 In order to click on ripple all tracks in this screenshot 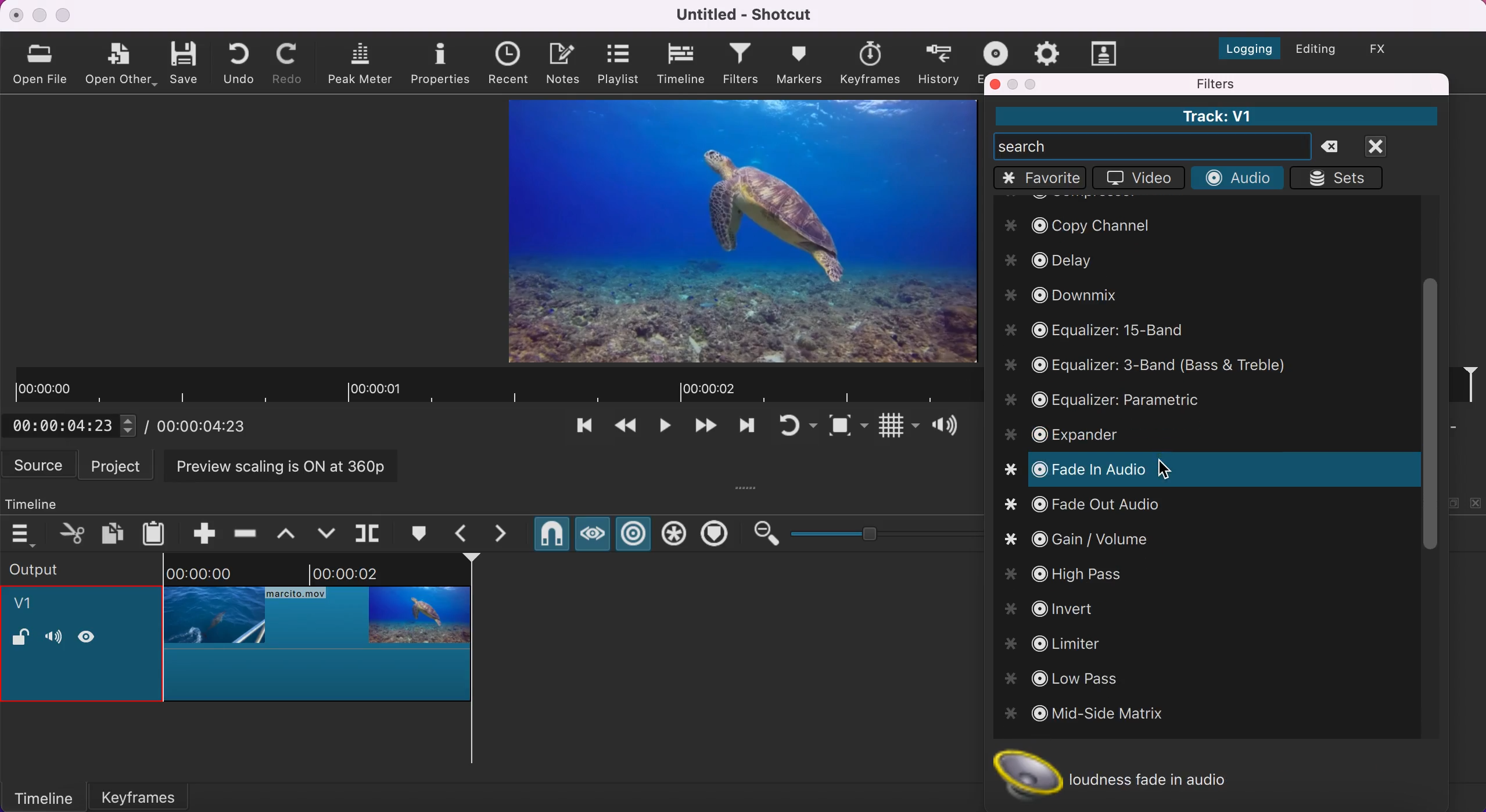, I will do `click(674, 536)`.